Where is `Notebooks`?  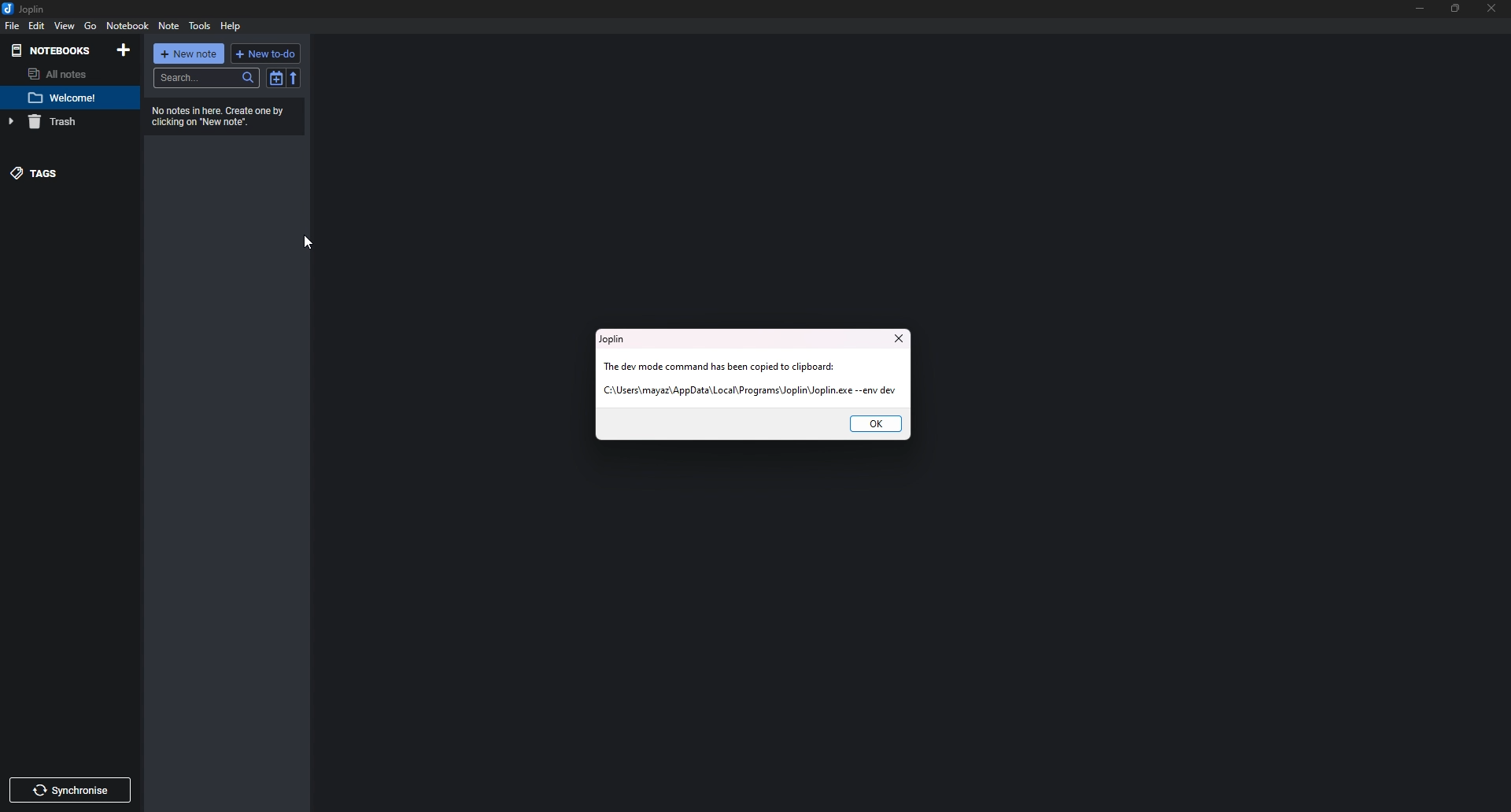
Notebooks is located at coordinates (52, 51).